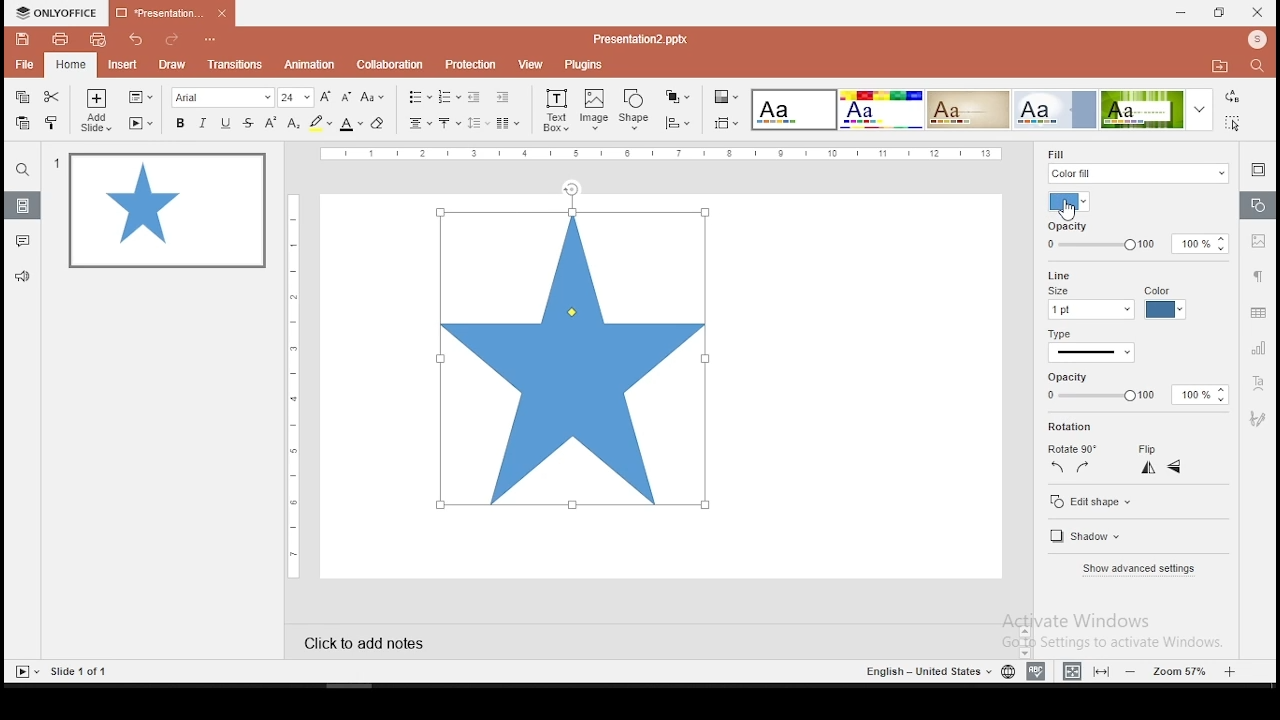 This screenshot has width=1280, height=720. Describe the element at coordinates (1134, 671) in the screenshot. I see `zoom out` at that location.